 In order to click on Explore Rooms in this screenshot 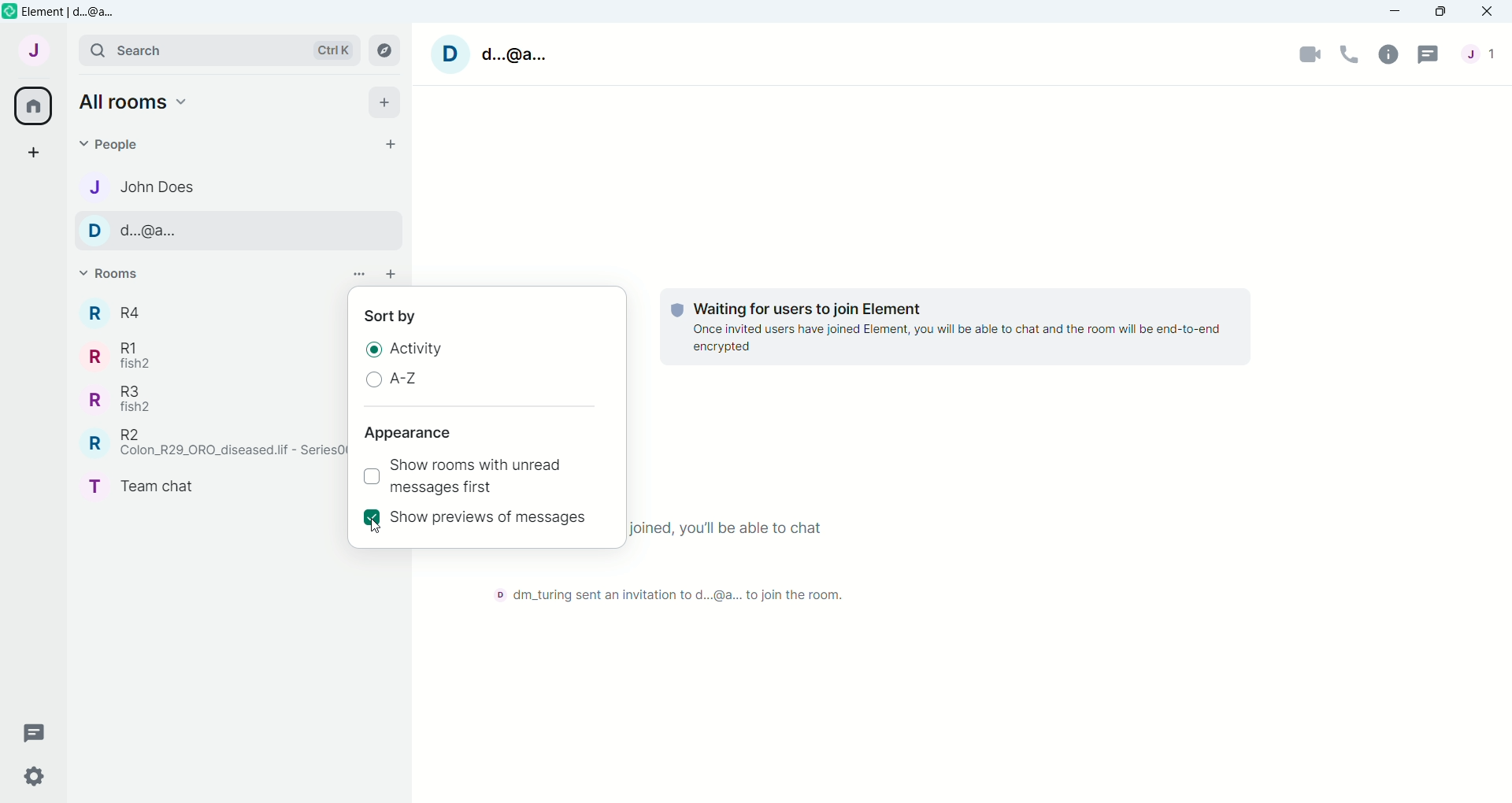, I will do `click(390, 52)`.